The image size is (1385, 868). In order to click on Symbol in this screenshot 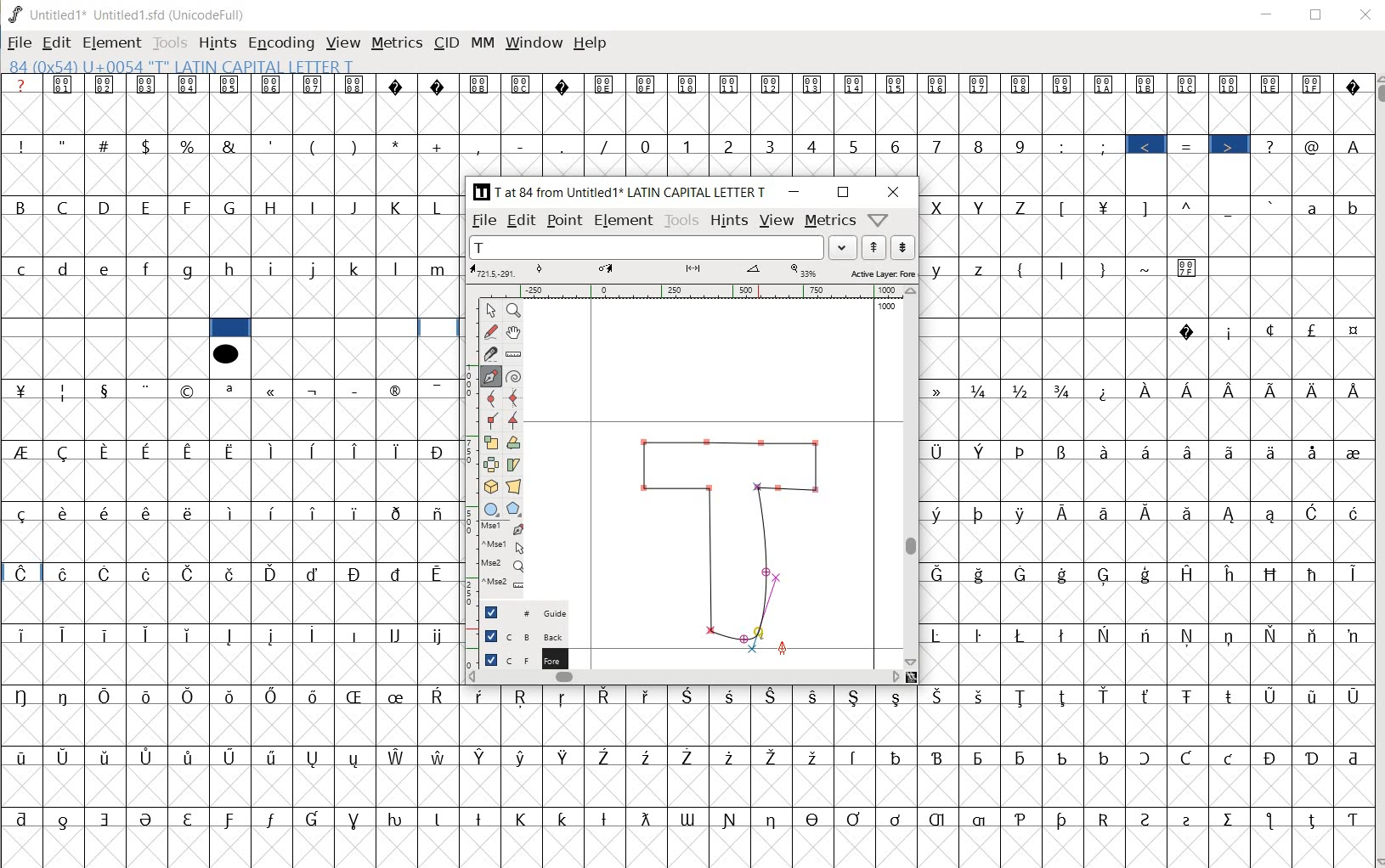, I will do `click(316, 389)`.